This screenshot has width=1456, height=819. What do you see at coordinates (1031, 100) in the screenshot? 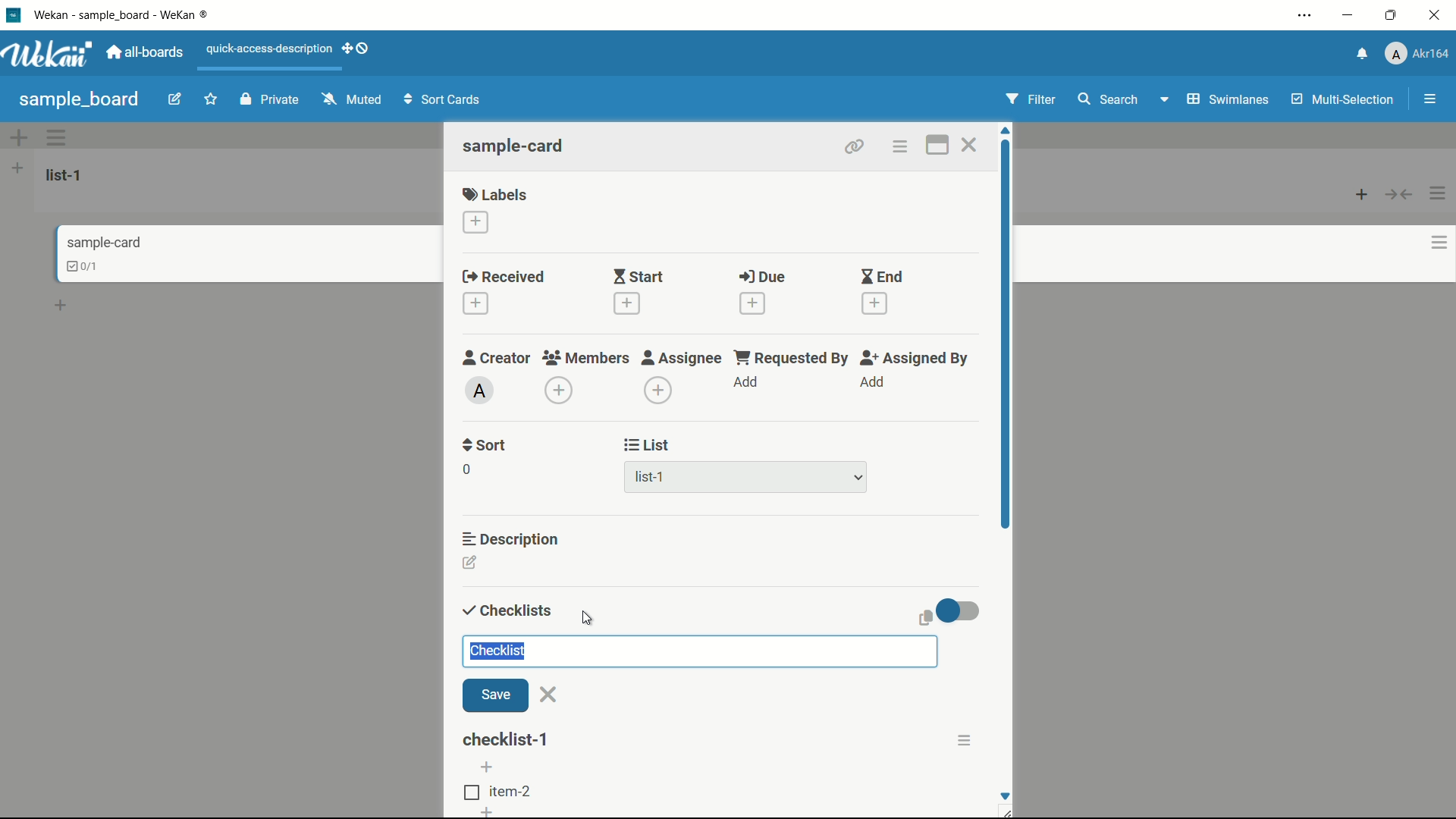
I see `filter` at bounding box center [1031, 100].